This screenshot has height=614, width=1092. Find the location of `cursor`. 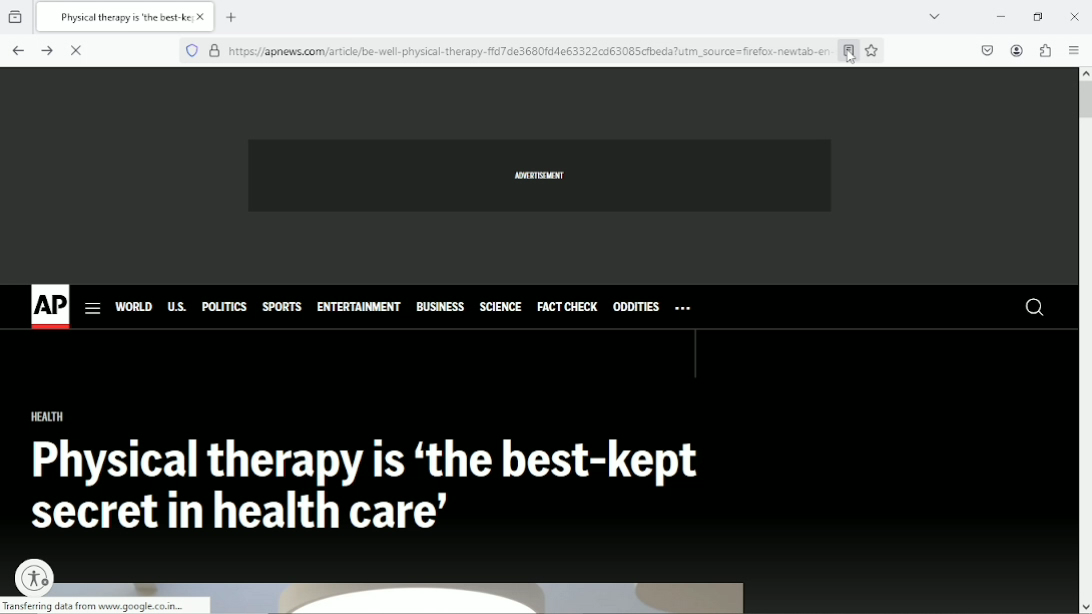

cursor is located at coordinates (852, 54).